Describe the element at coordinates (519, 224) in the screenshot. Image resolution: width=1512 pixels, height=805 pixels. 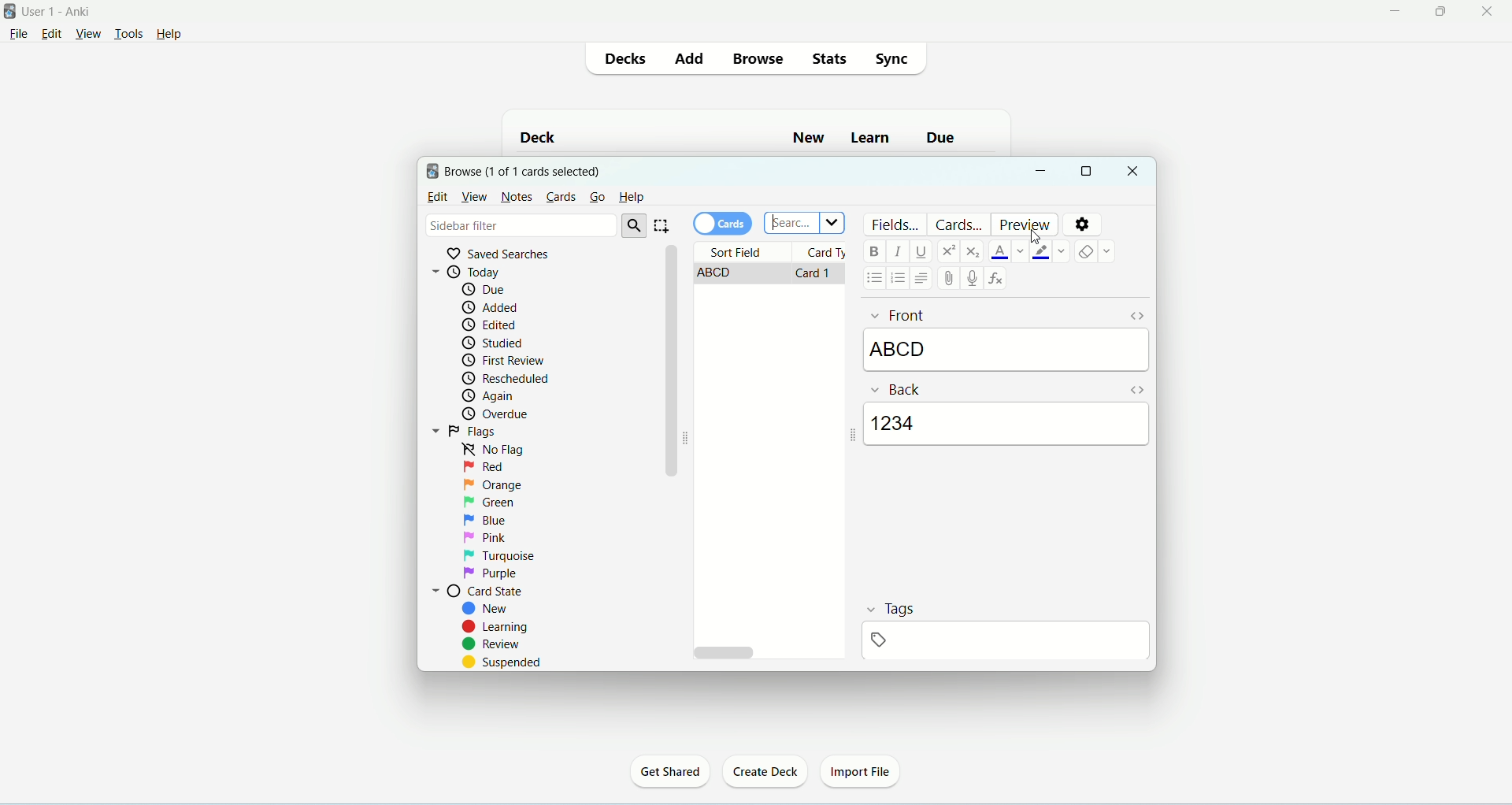
I see `sidebar filter` at that location.